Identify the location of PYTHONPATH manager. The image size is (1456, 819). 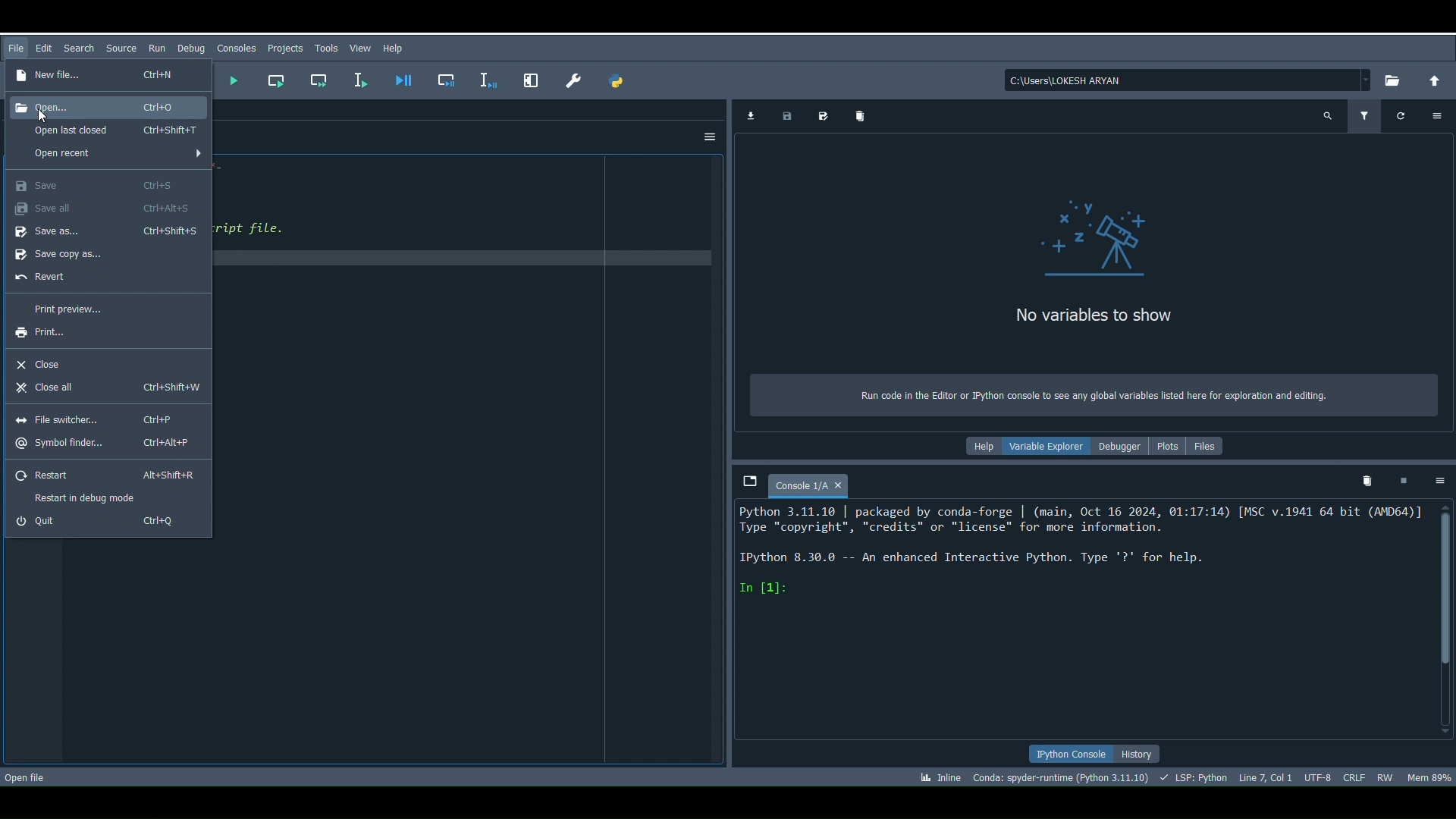
(616, 83).